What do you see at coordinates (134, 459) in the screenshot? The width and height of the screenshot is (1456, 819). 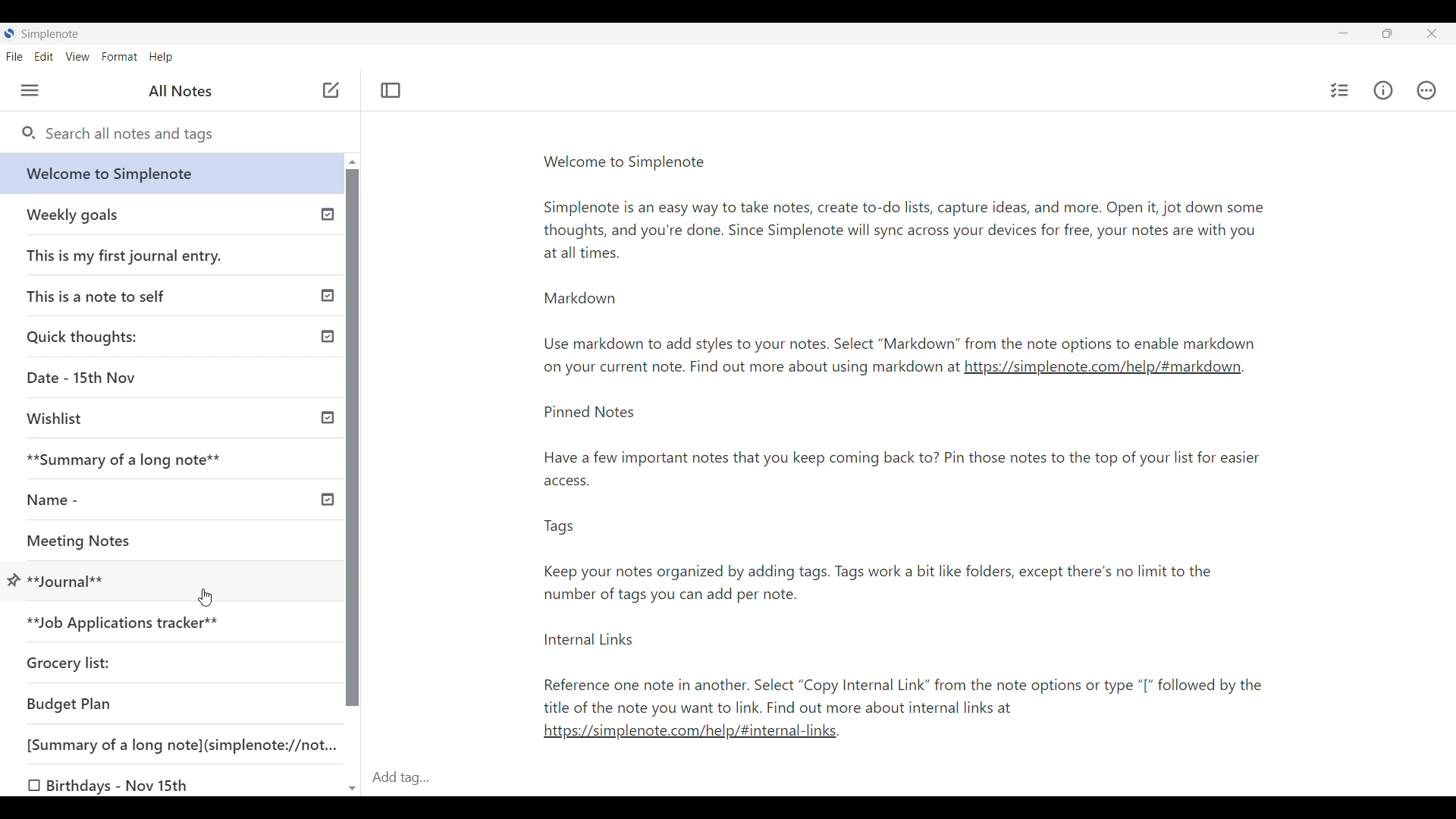 I see `**Summary of a long note**` at bounding box center [134, 459].